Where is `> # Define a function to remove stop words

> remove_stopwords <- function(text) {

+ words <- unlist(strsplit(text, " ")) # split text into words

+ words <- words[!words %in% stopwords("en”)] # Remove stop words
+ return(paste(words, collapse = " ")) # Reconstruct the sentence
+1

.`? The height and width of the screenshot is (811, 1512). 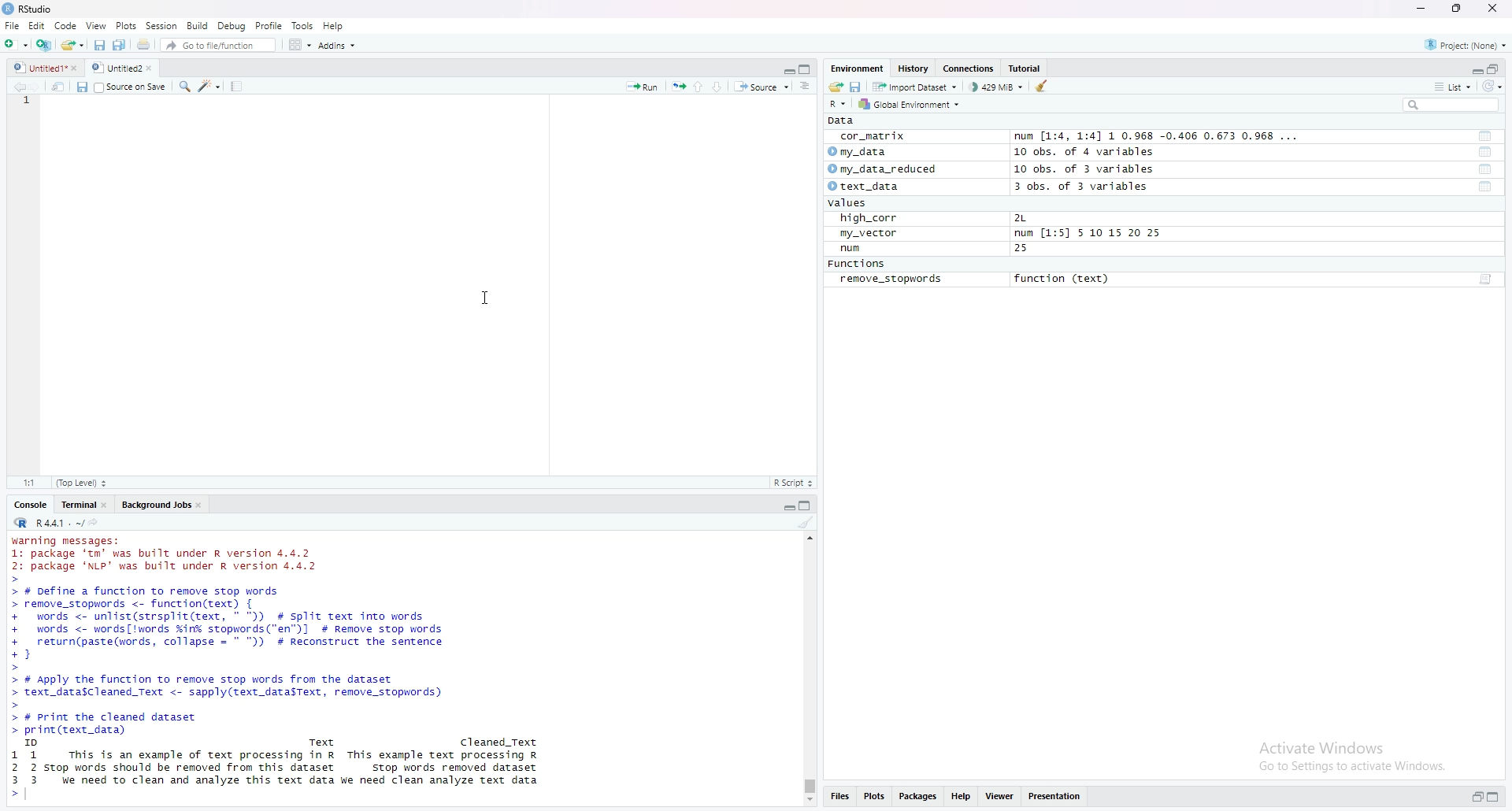
> # Define a function to remove stop words

> remove_stopwords <- function(text) {

+ words <- unlist(strsplit(text, " ")) # split text into words

+ words <- words[!words %in% stopwords("en”)] # Remove stop words
+ return(paste(words, collapse = " ")) # Reconstruct the sentence
+1

. is located at coordinates (246, 626).